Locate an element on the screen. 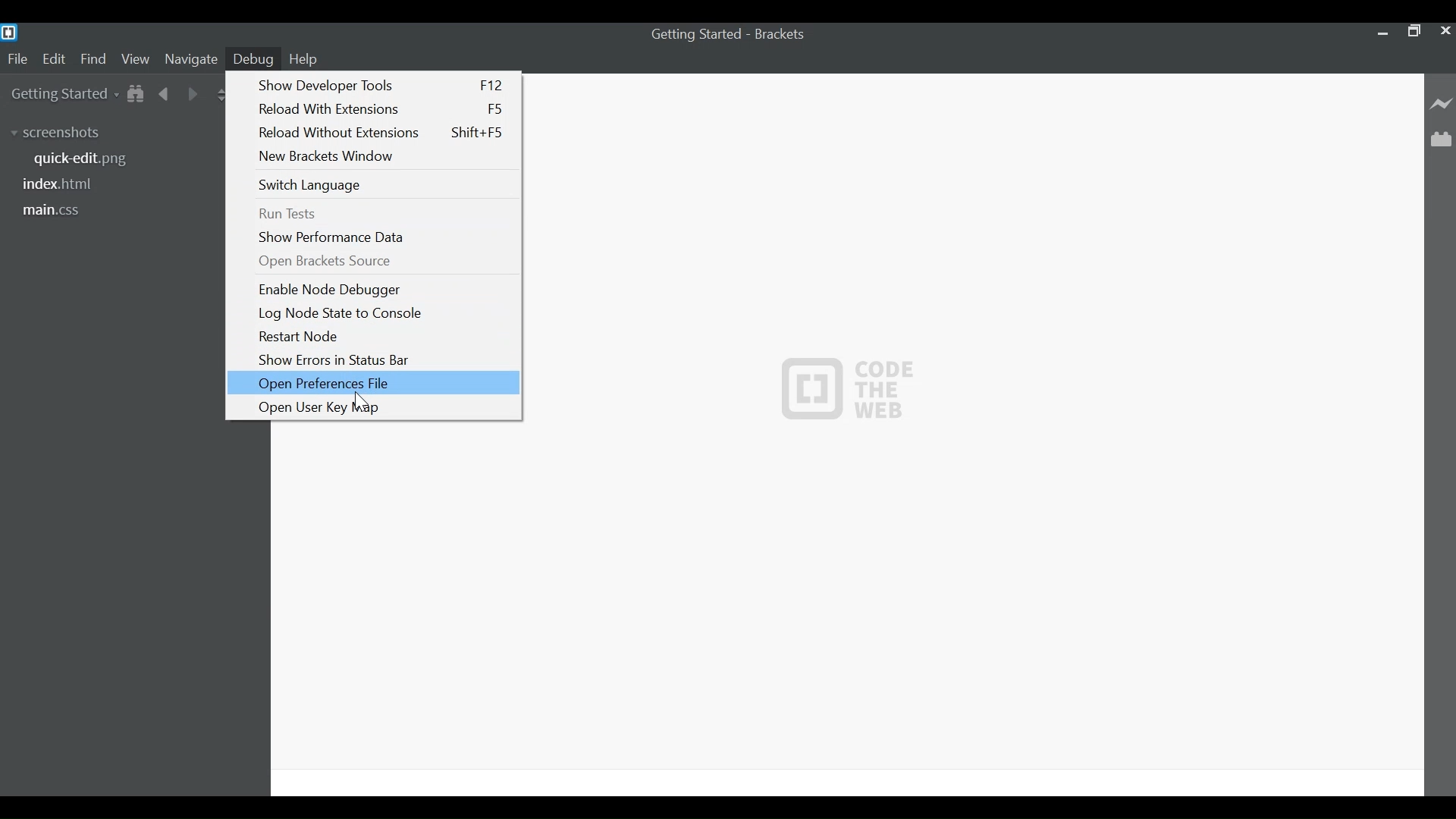 Image resolution: width=1456 pixels, height=819 pixels. Run Tests is located at coordinates (295, 213).